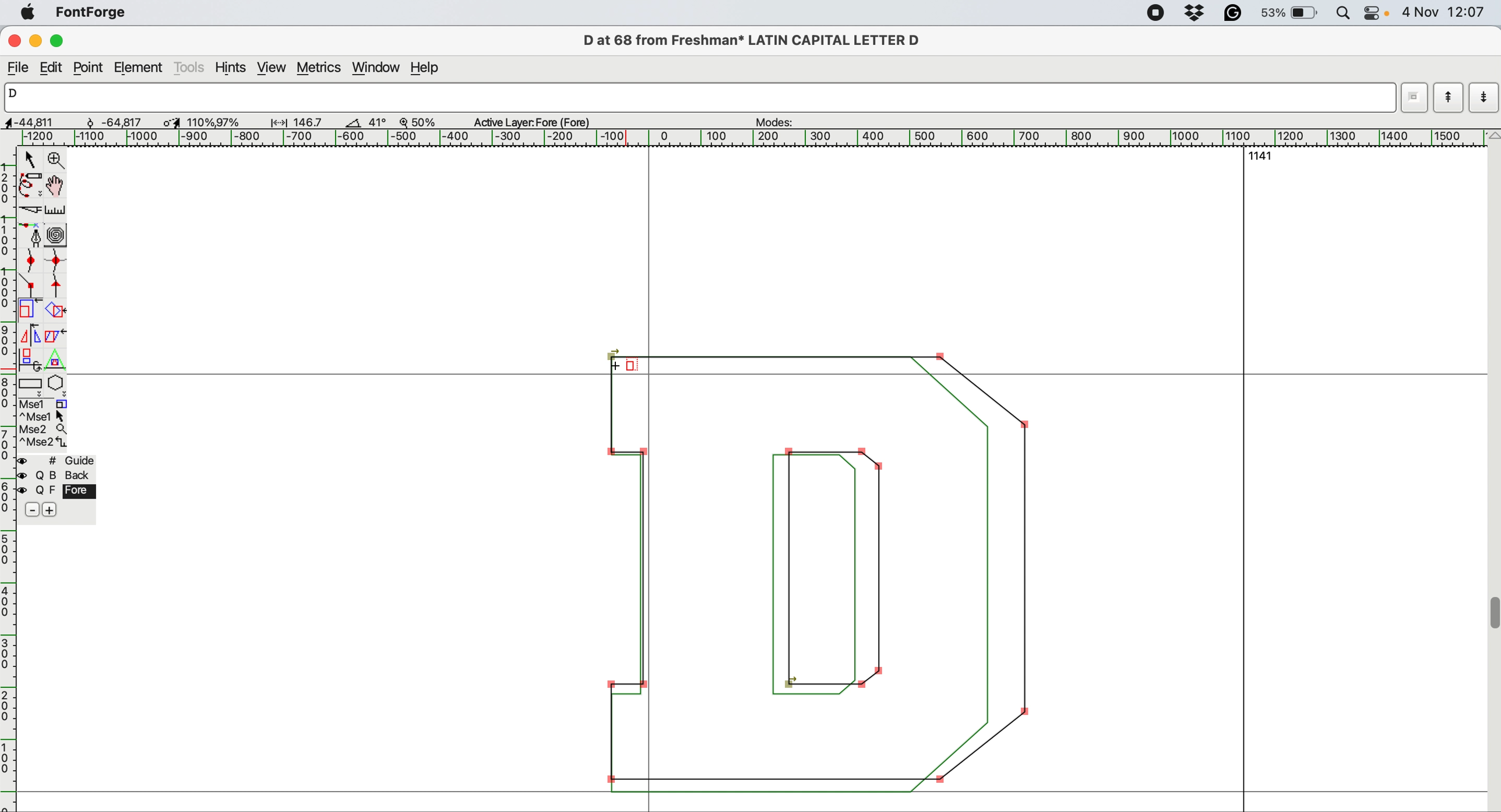 The width and height of the screenshot is (1501, 812). I want to click on pointer, so click(31, 159).